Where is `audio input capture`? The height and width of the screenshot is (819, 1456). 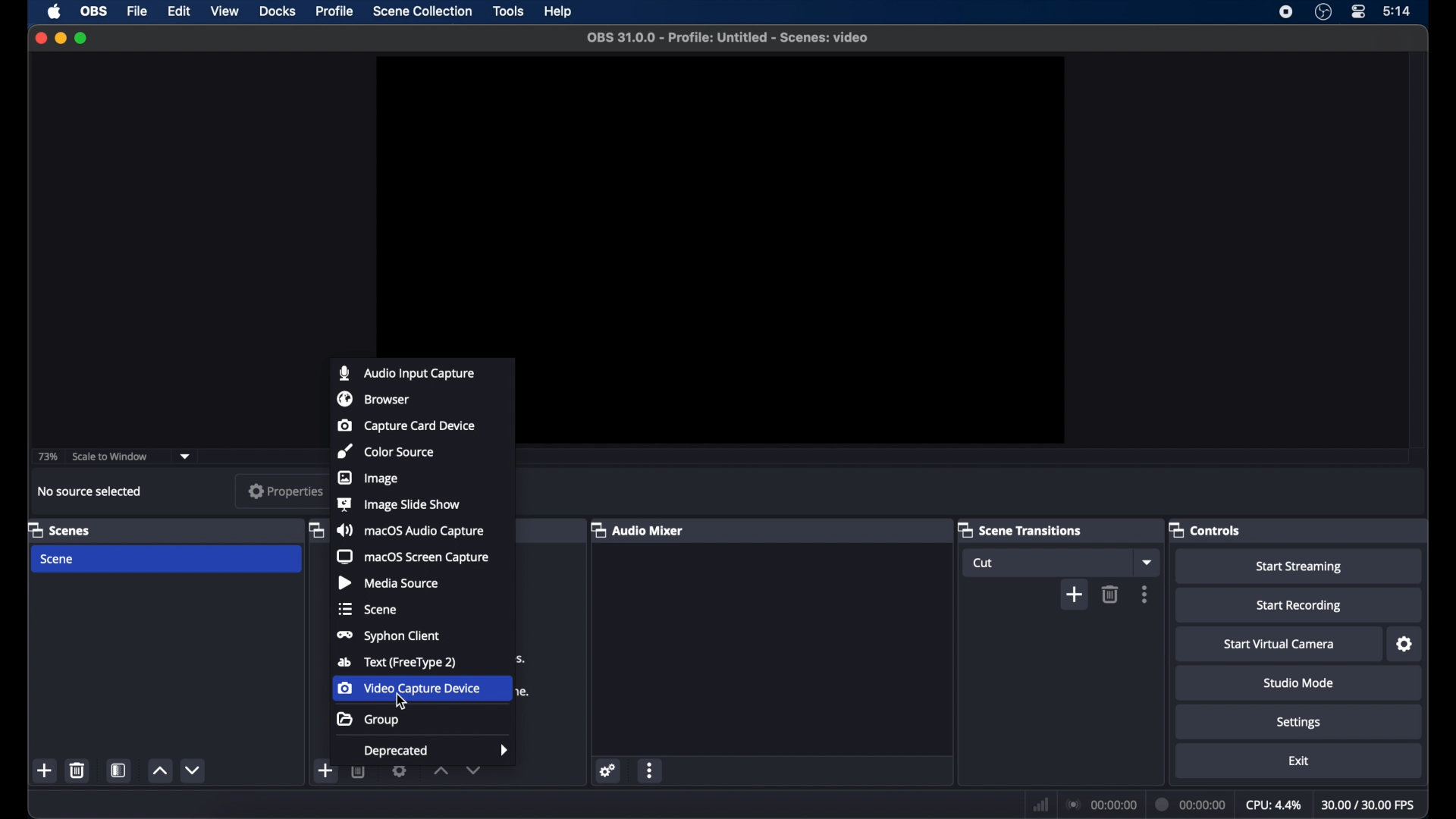
audio input capture is located at coordinates (409, 372).